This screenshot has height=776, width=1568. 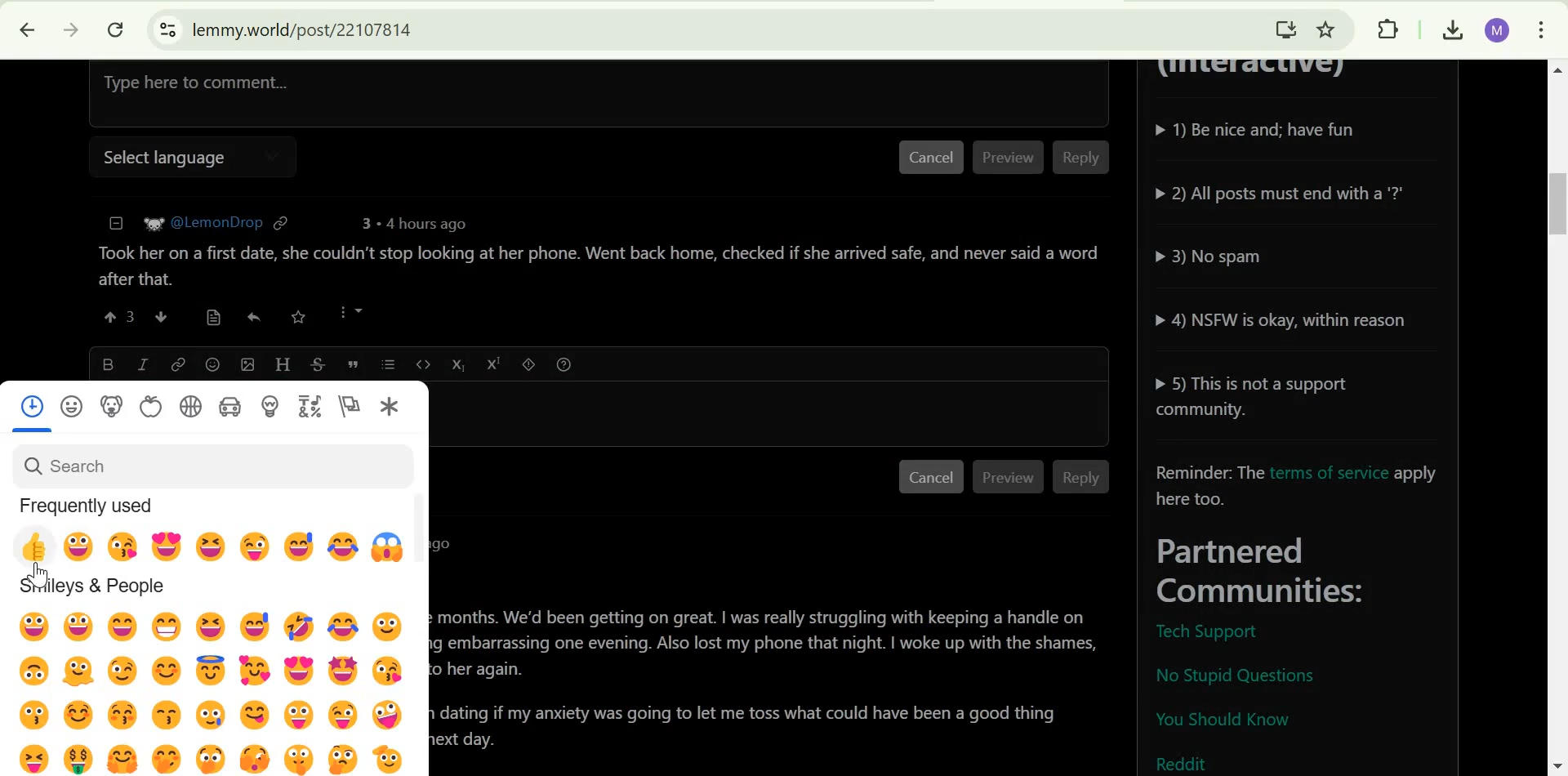 What do you see at coordinates (93, 586) in the screenshot?
I see `Smileys & People ` at bounding box center [93, 586].